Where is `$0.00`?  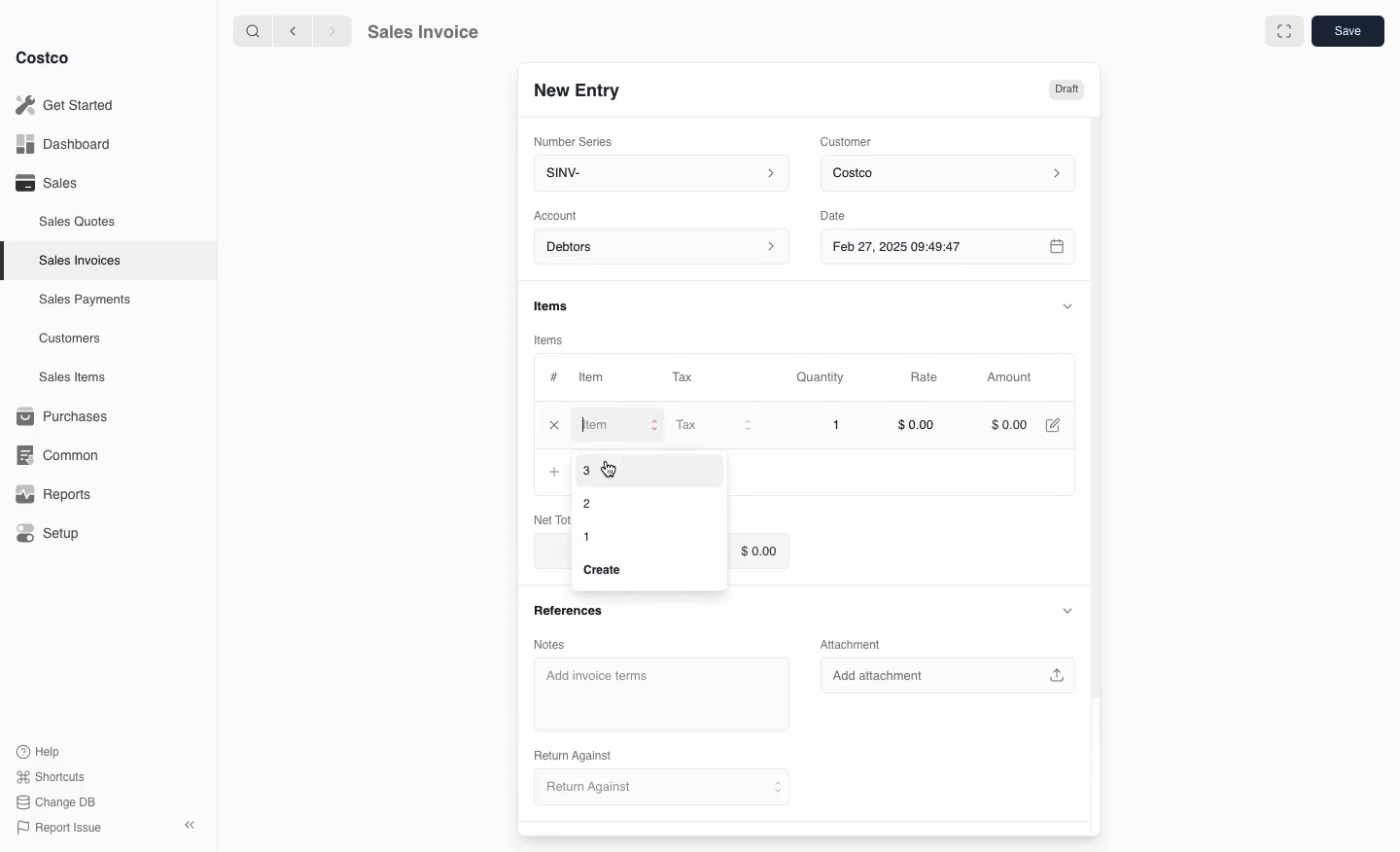 $0.00 is located at coordinates (917, 427).